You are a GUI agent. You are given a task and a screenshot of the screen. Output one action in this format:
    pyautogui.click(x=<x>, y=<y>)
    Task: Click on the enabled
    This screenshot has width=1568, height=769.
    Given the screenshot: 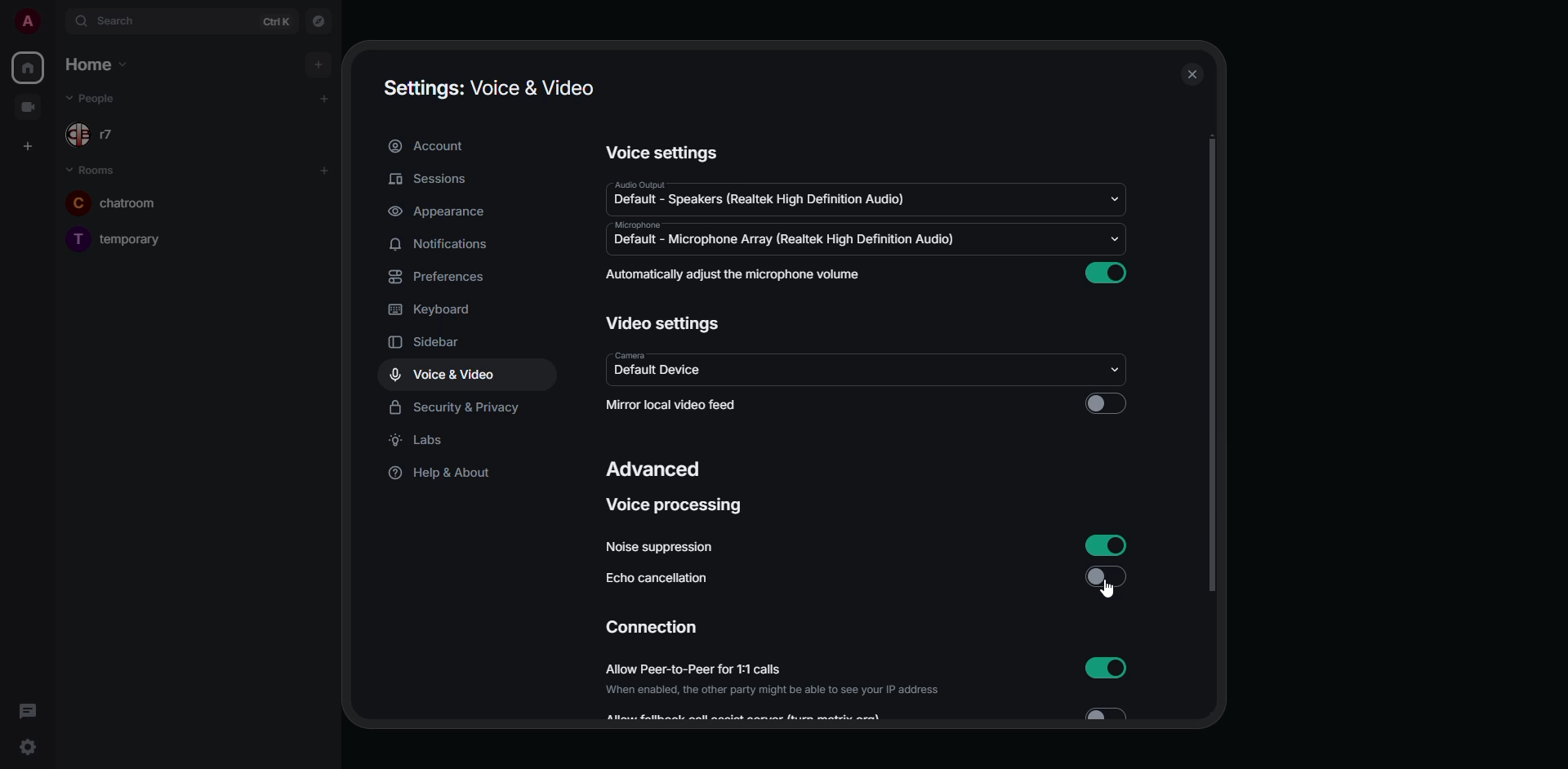 What is the action you would take?
    pyautogui.click(x=1102, y=669)
    